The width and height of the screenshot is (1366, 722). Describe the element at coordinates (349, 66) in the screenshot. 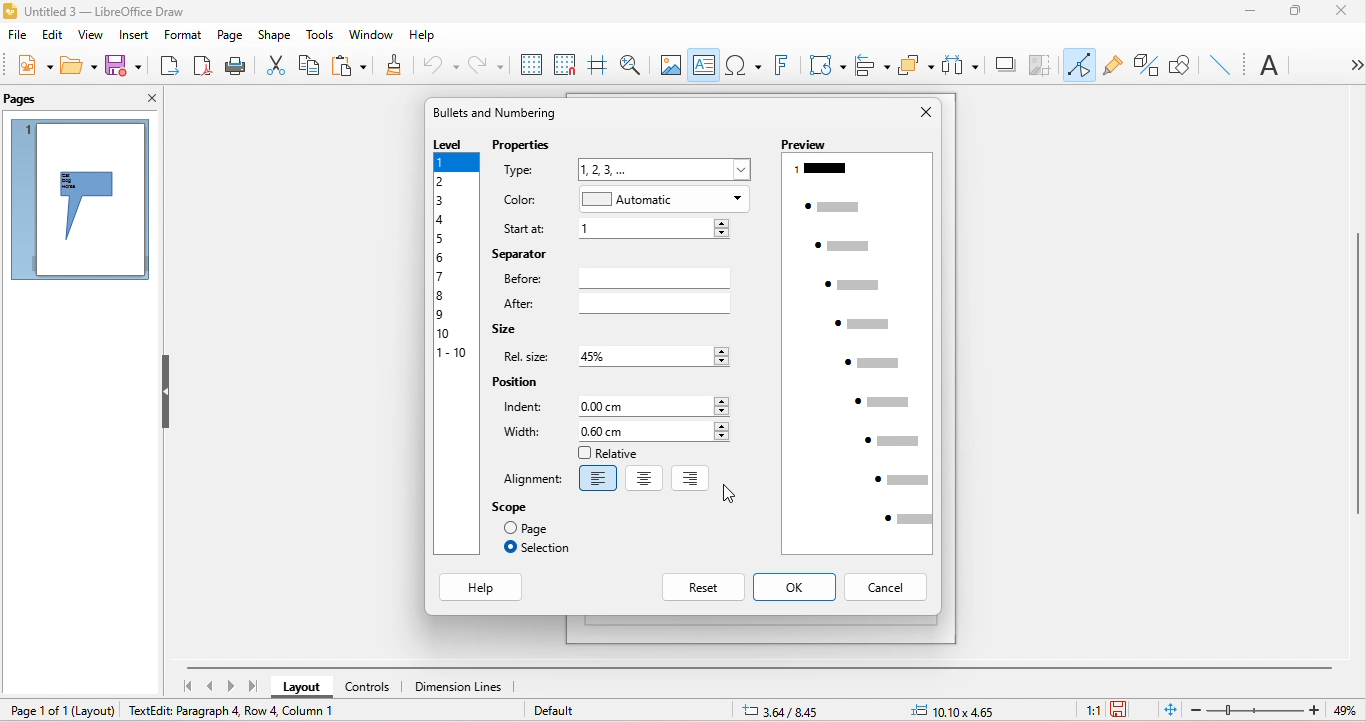

I see `paste` at that location.